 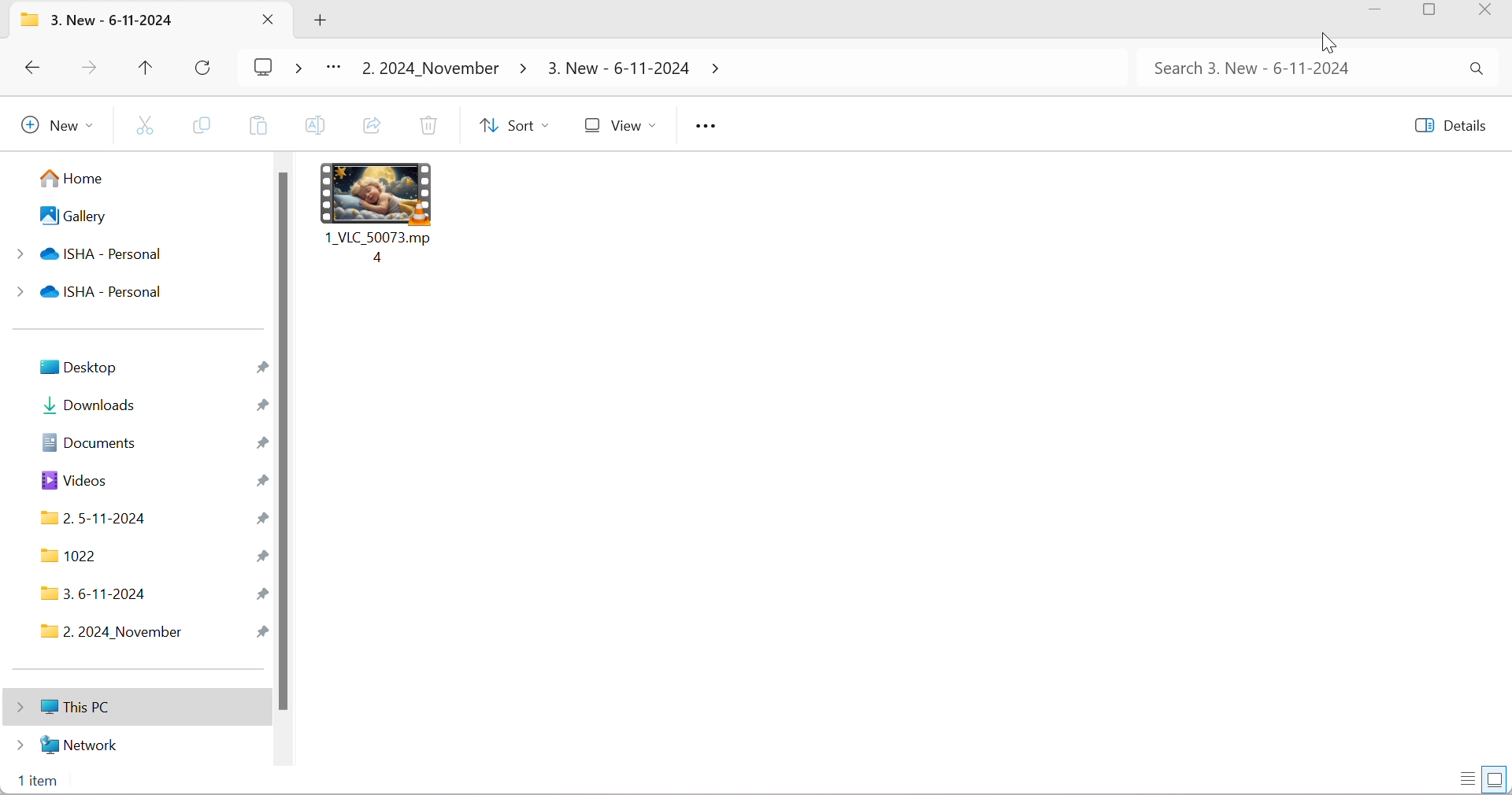 What do you see at coordinates (143, 67) in the screenshot?
I see `Up` at bounding box center [143, 67].